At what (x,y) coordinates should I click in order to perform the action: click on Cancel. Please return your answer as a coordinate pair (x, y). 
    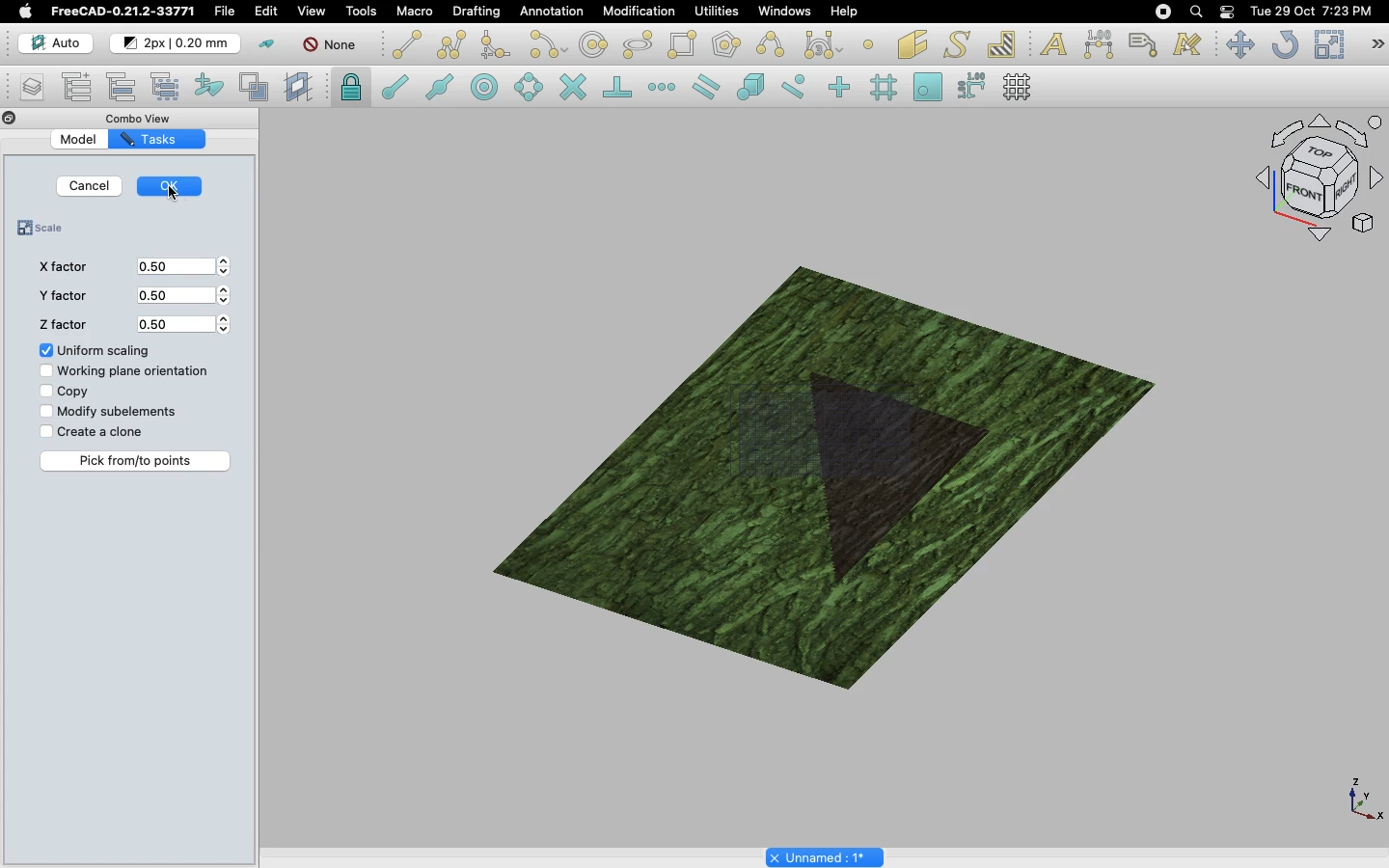
    Looking at the image, I should click on (91, 186).